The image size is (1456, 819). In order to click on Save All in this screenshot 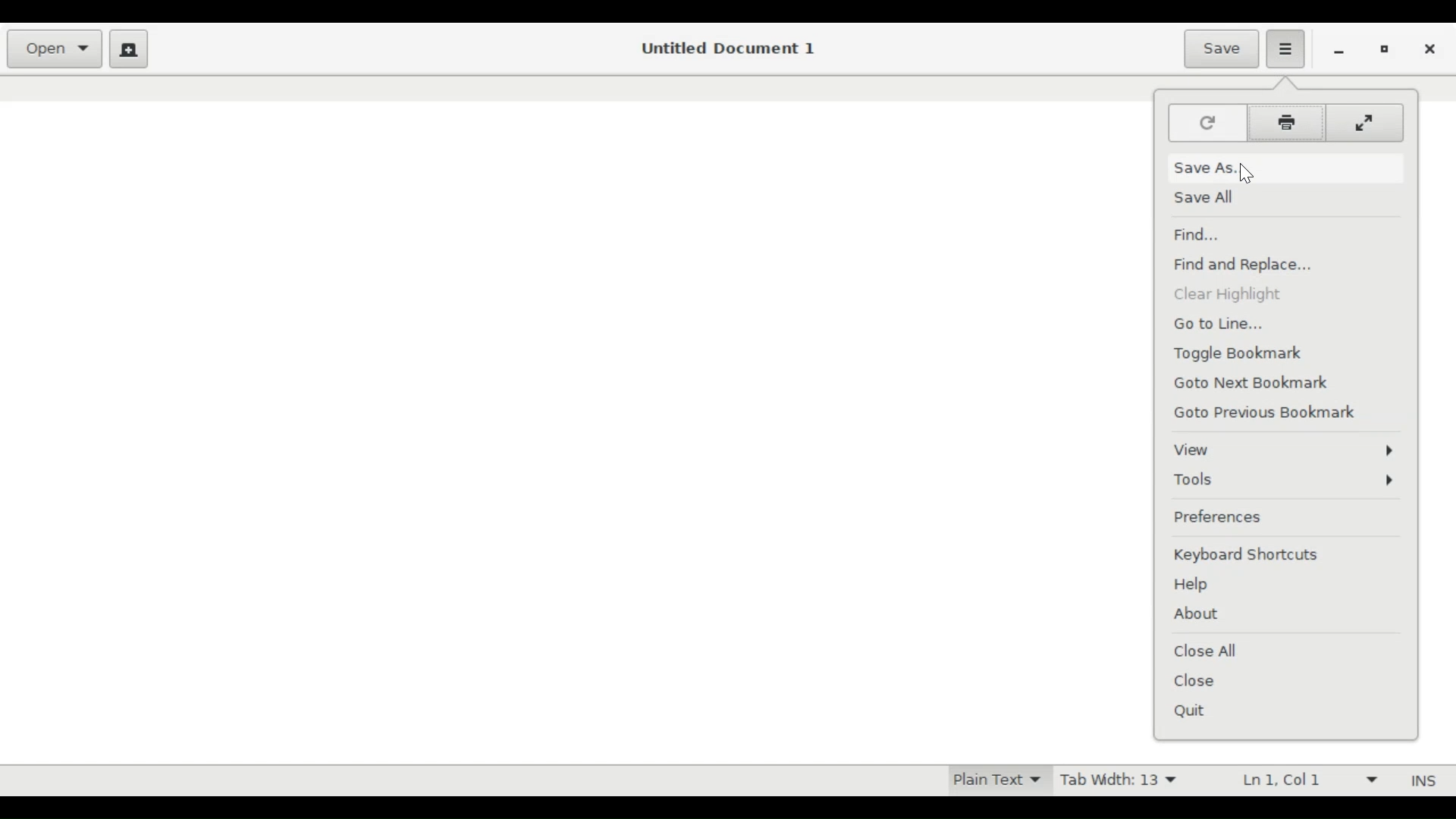, I will do `click(1209, 201)`.